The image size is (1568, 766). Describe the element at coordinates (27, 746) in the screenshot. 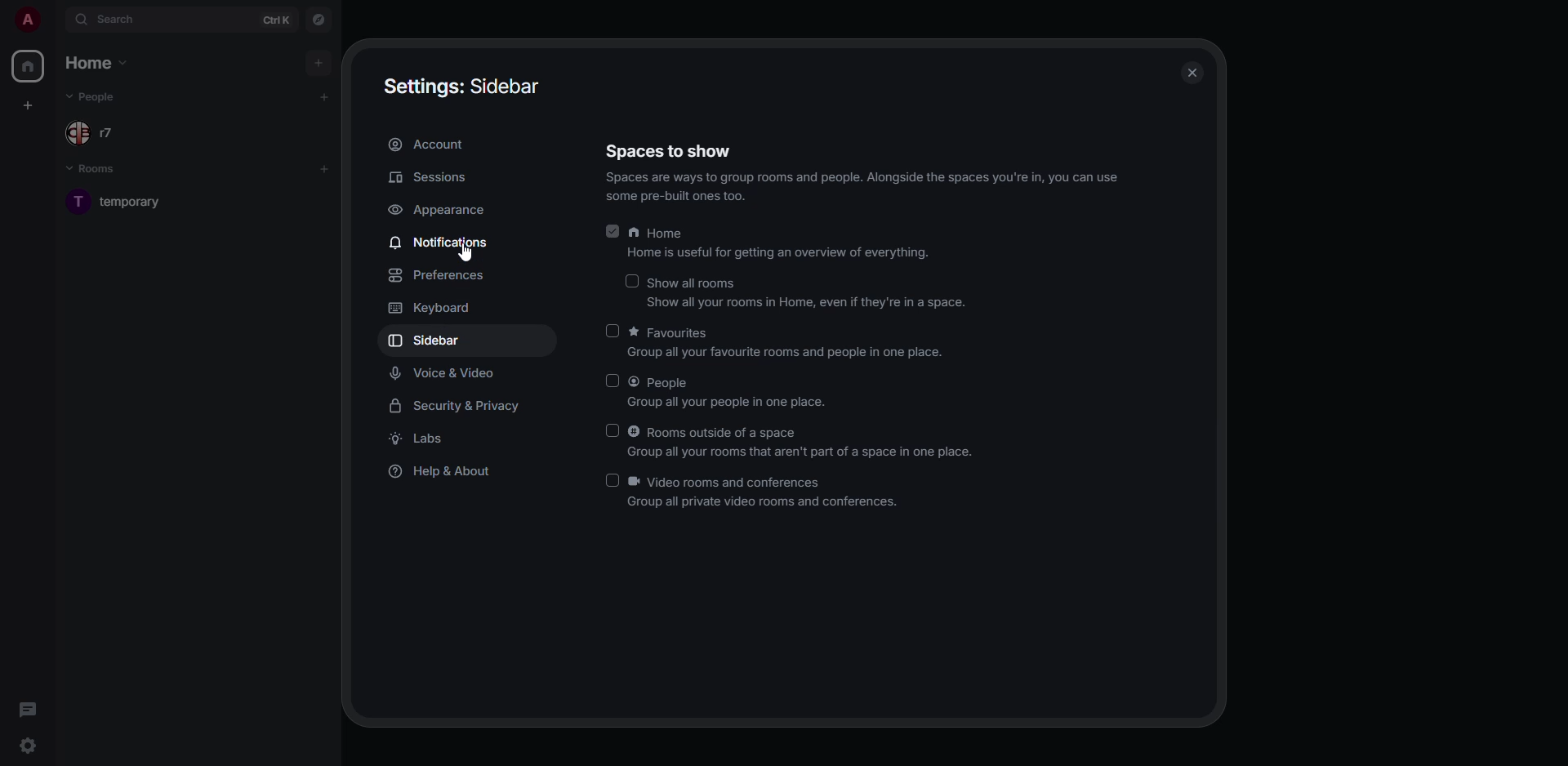

I see `quick settings` at that location.